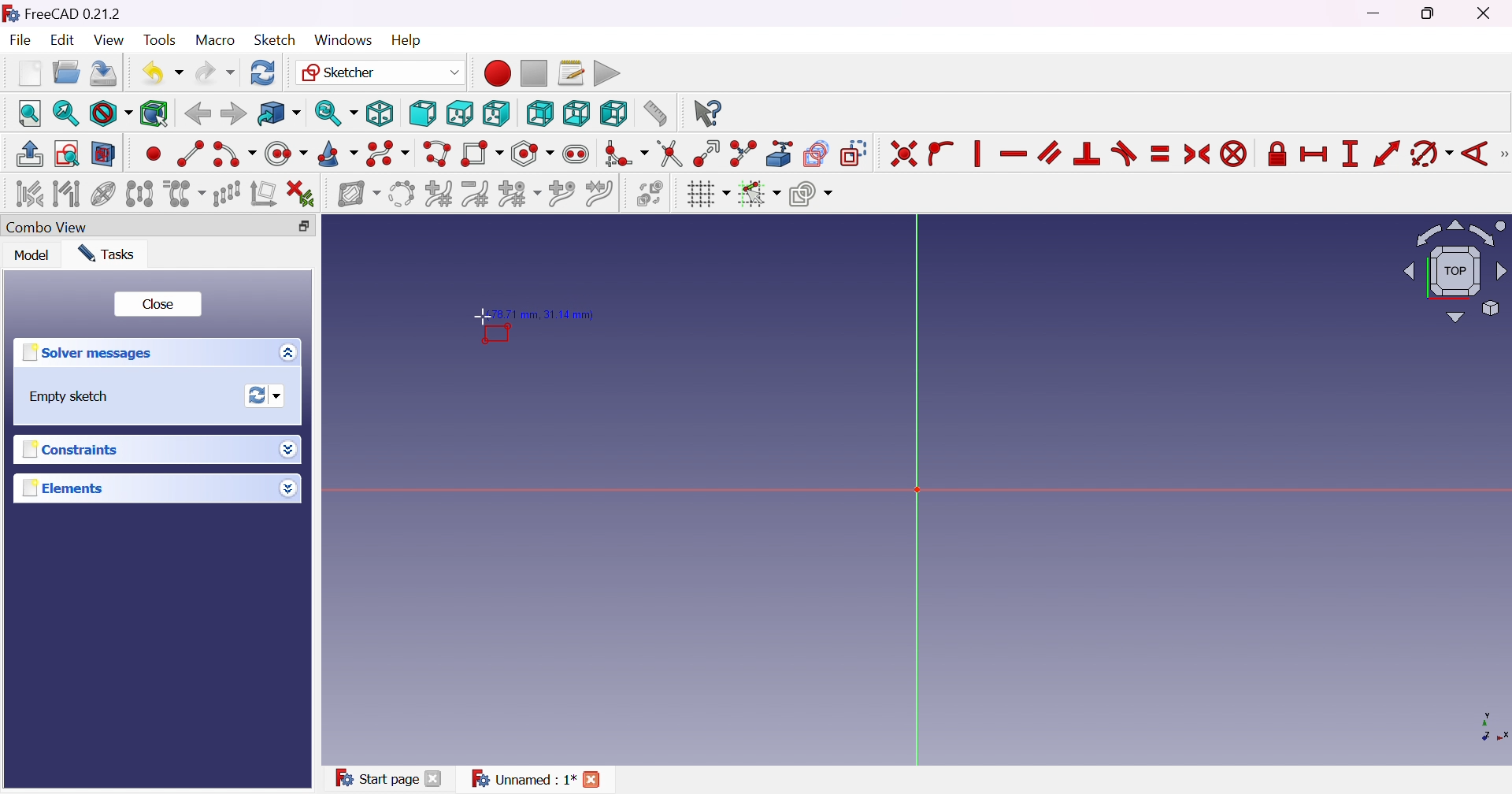 The image size is (1512, 794). What do you see at coordinates (608, 72) in the screenshot?
I see `Execute macro` at bounding box center [608, 72].